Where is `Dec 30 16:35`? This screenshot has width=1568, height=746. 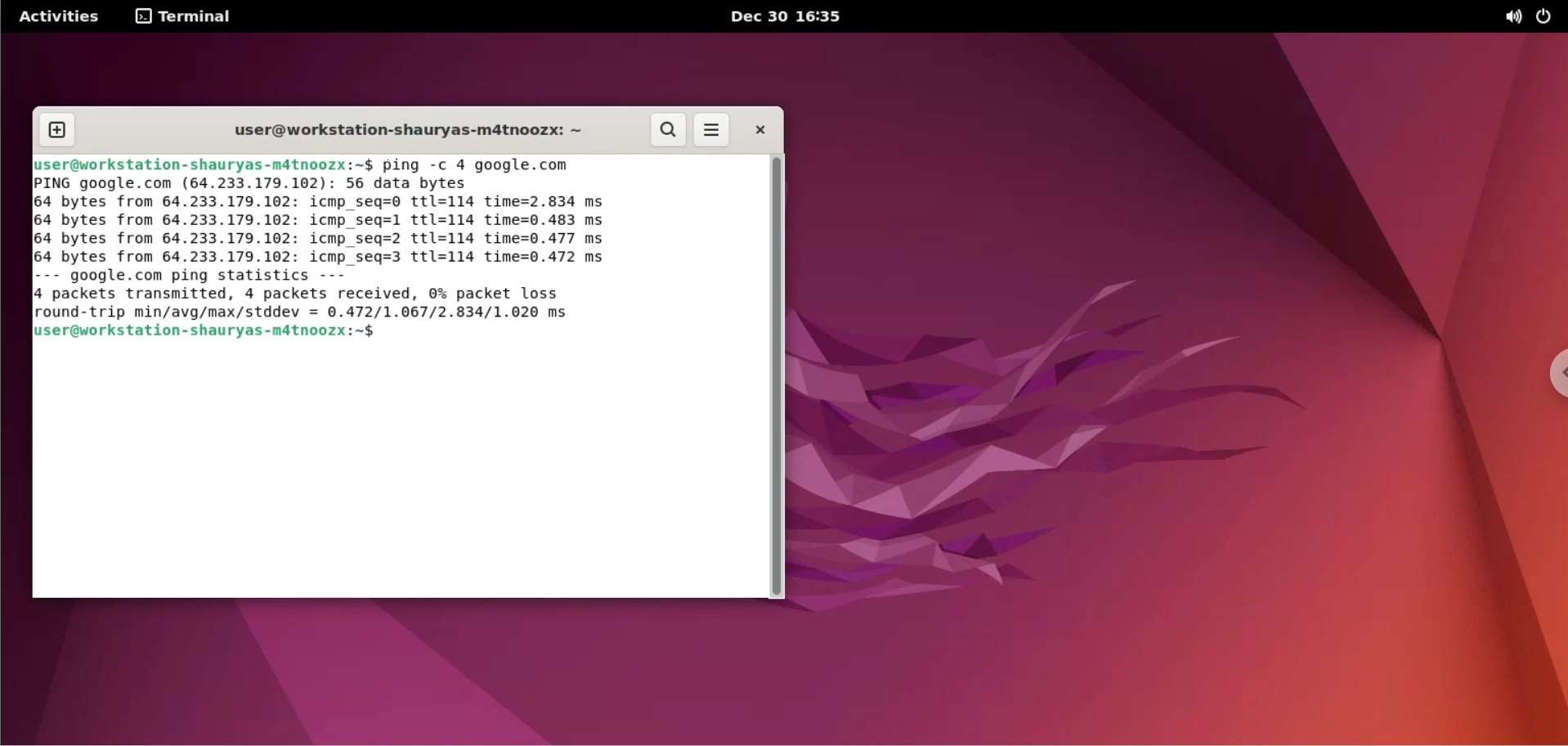 Dec 30 16:35 is located at coordinates (788, 16).